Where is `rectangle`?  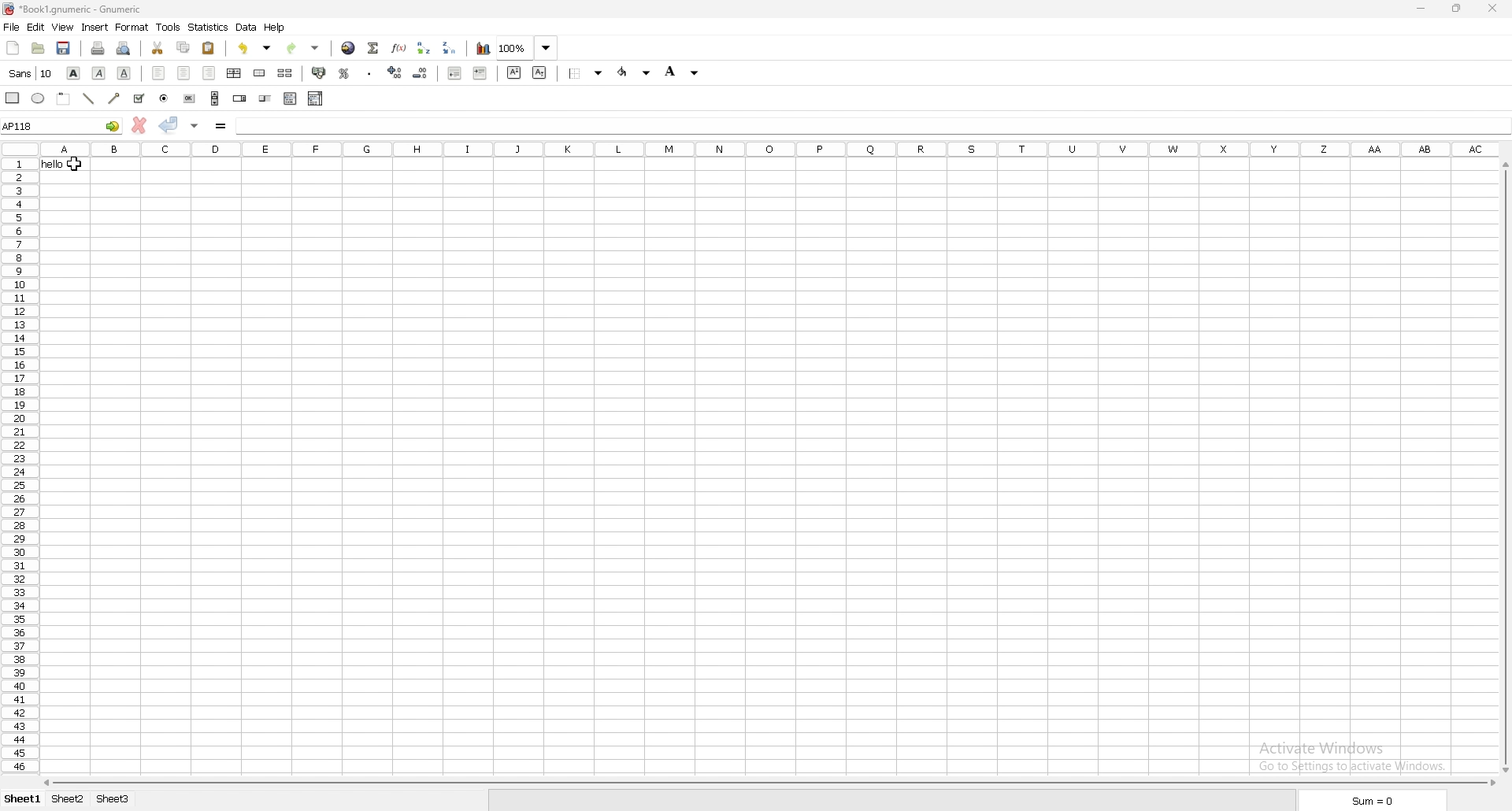
rectangle is located at coordinates (14, 98).